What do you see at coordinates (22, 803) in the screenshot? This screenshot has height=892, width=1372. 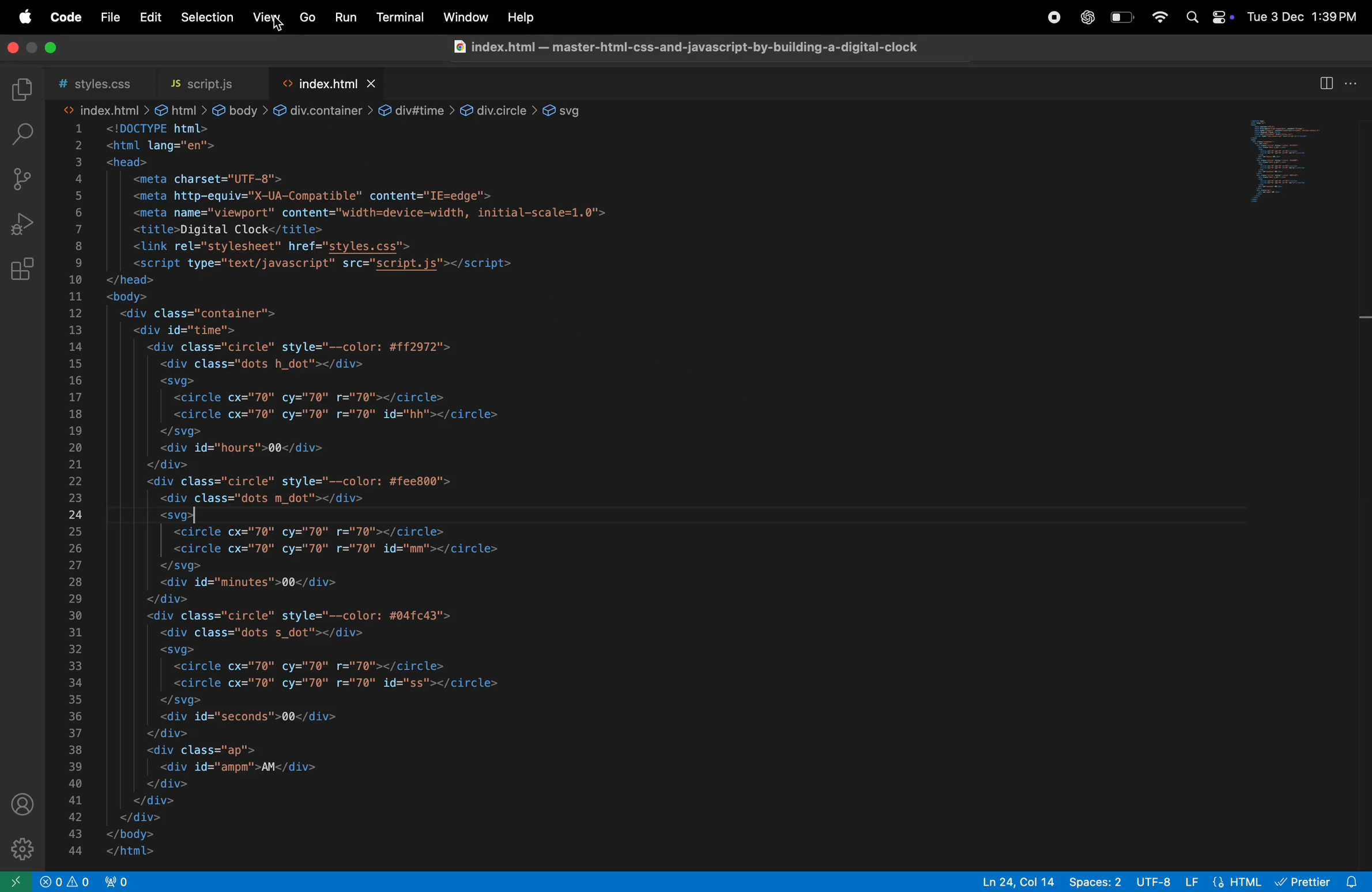 I see `profile` at bounding box center [22, 803].